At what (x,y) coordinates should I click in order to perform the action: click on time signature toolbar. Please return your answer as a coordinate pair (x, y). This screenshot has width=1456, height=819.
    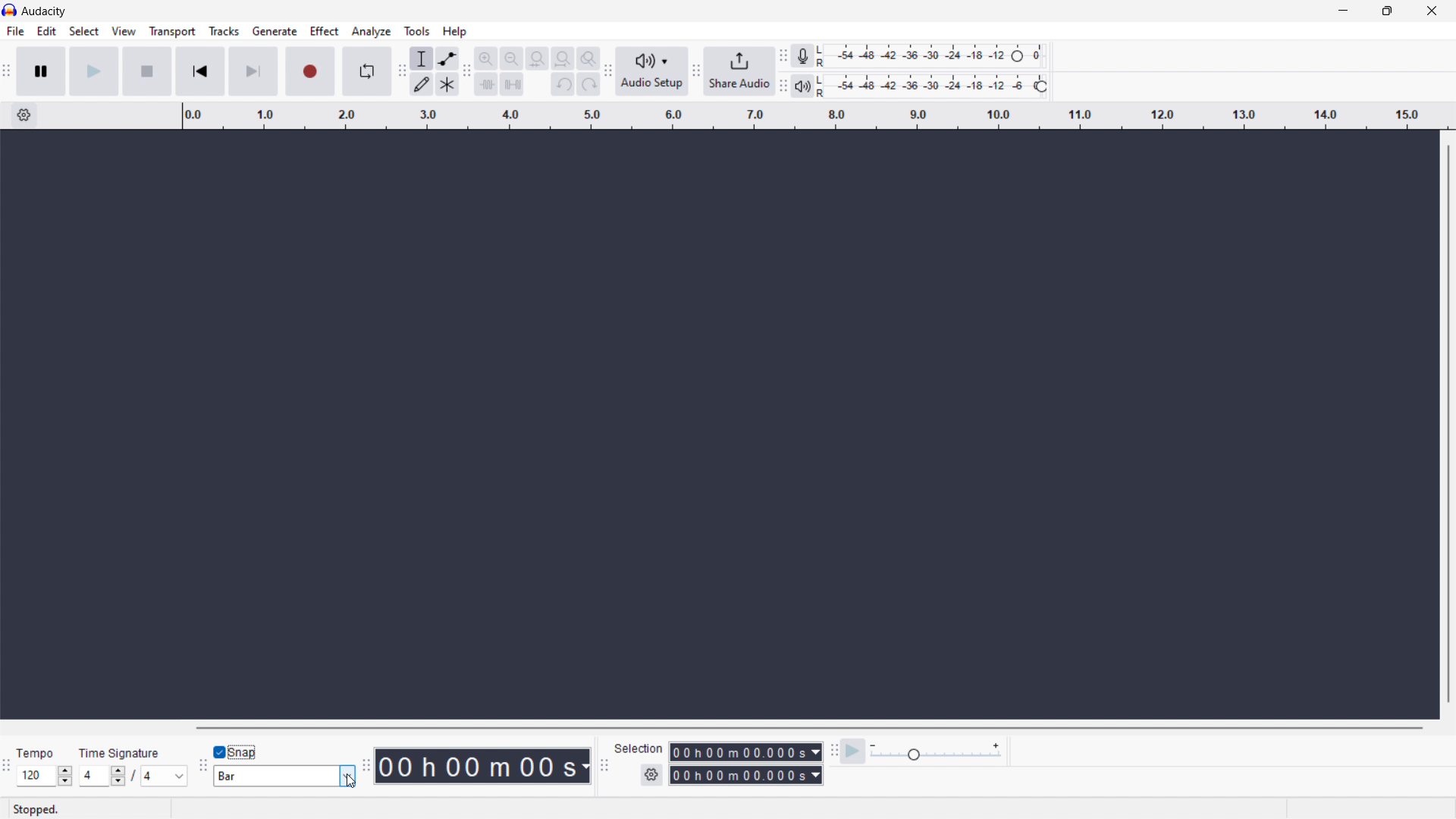
    Looking at the image, I should click on (9, 766).